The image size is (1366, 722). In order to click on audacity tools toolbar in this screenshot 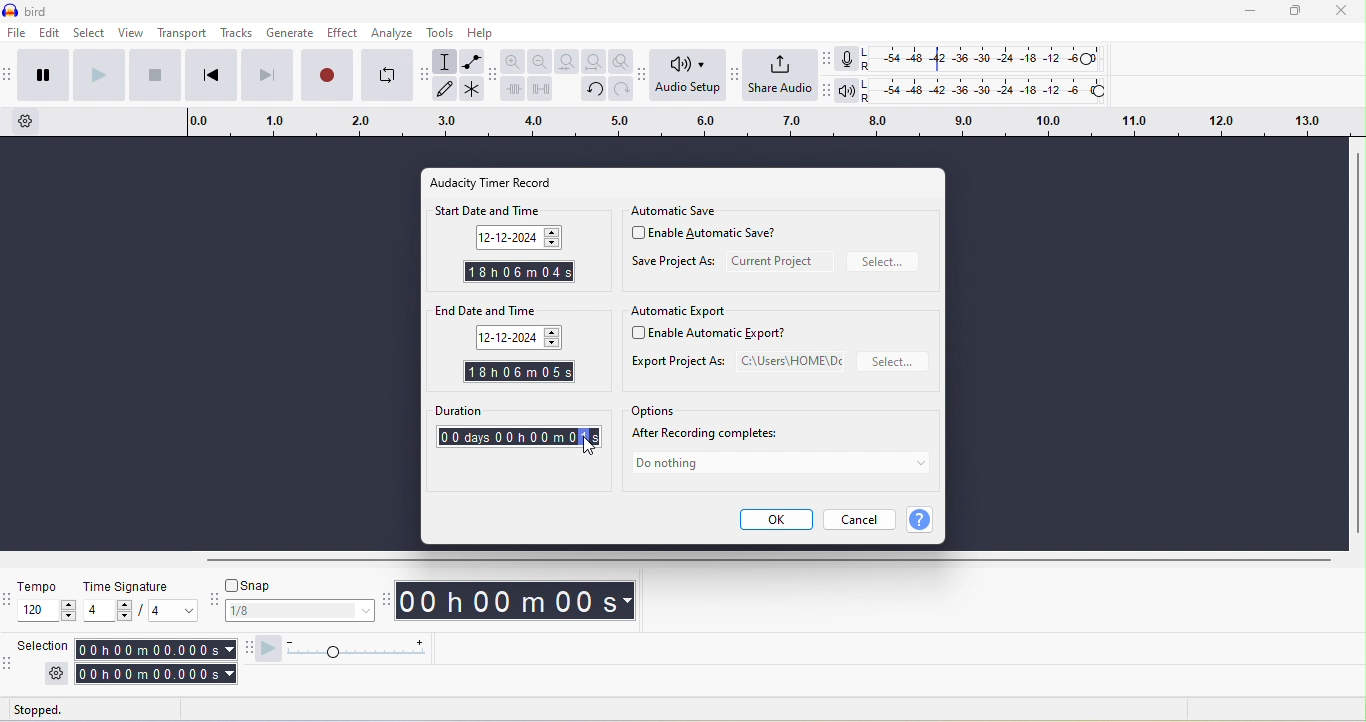, I will do `click(426, 78)`.